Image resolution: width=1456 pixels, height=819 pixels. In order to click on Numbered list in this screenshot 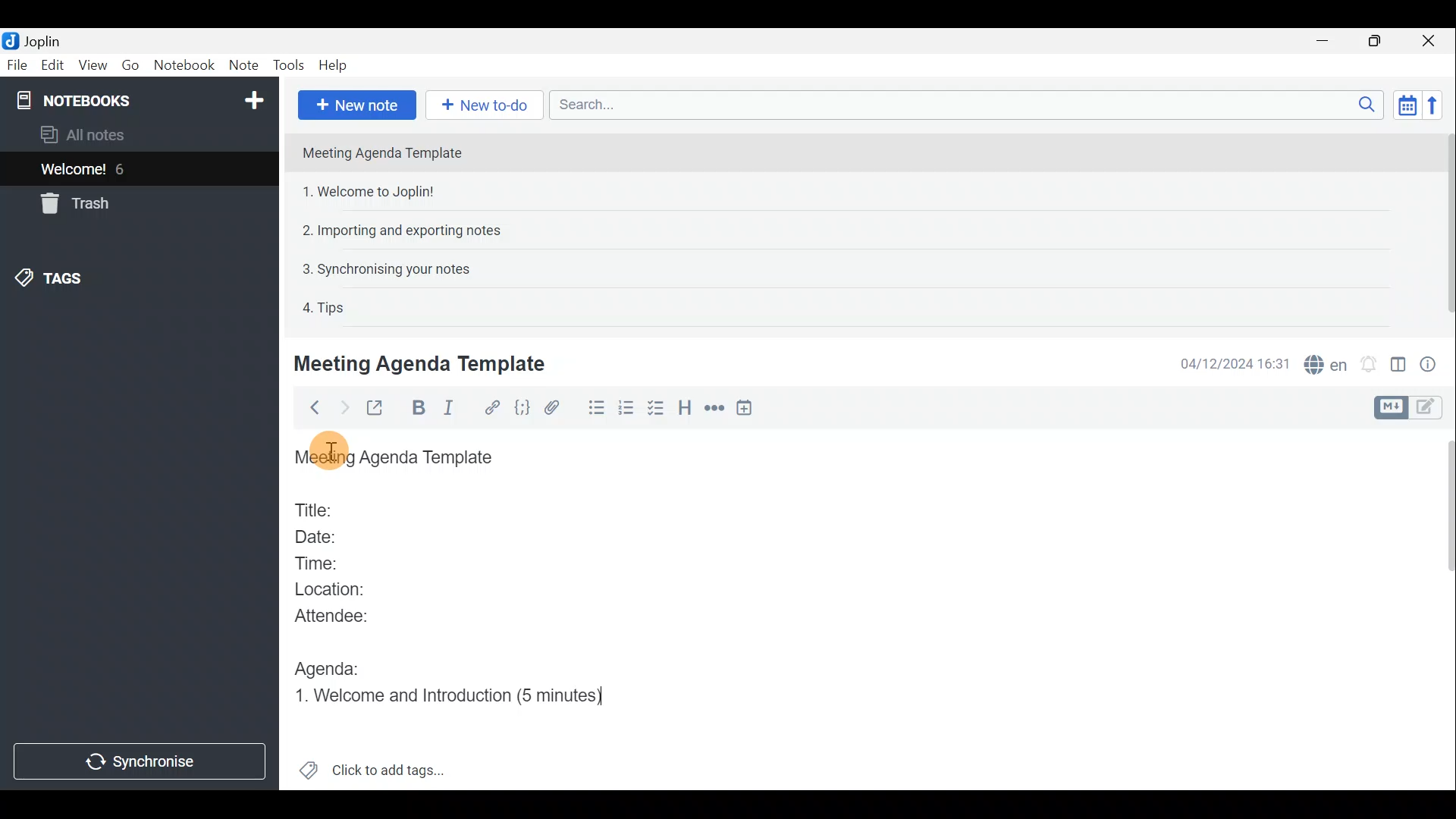, I will do `click(626, 410)`.